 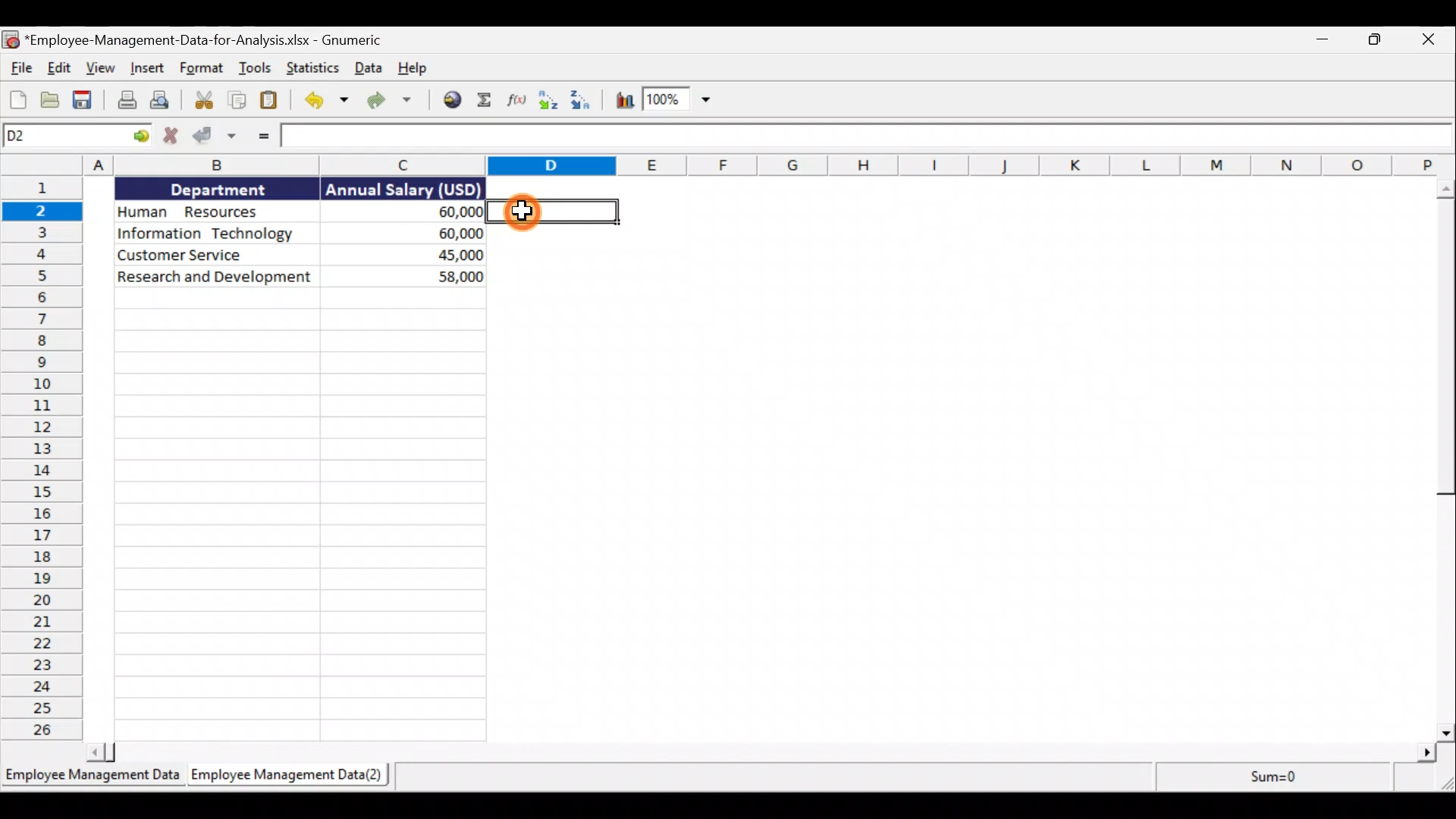 I want to click on Formula bar, so click(x=861, y=136).